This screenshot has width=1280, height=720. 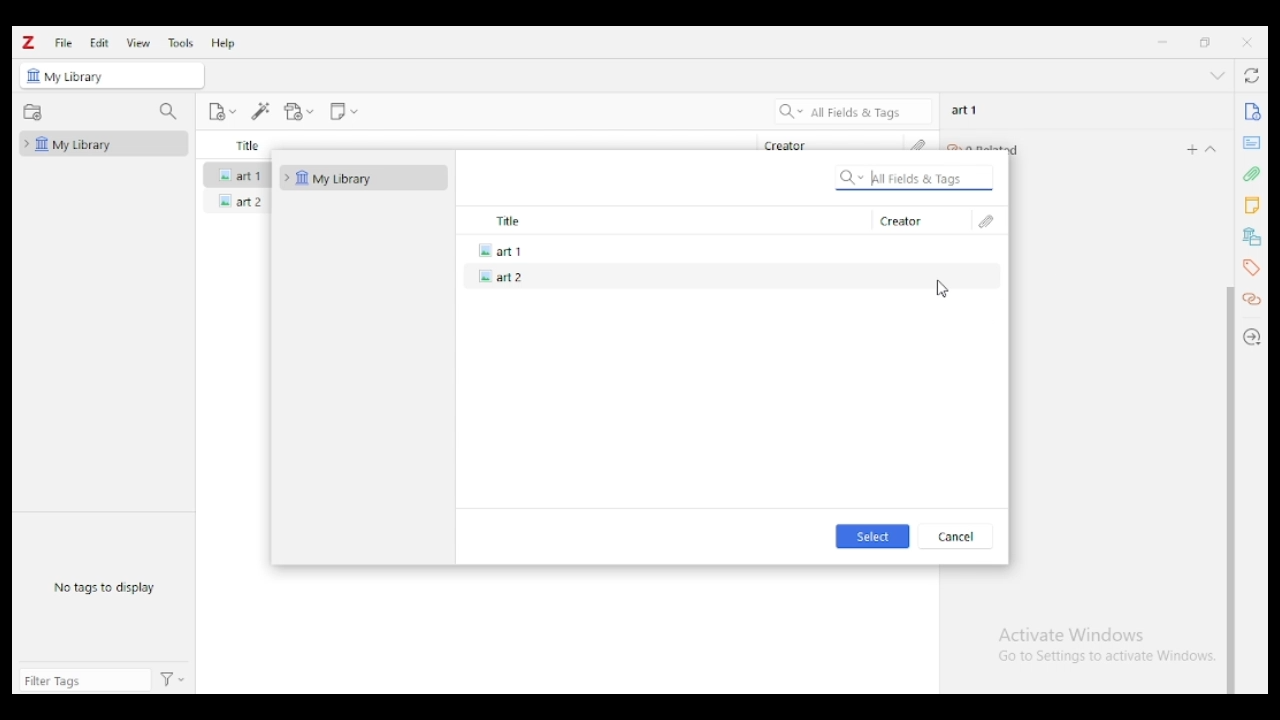 What do you see at coordinates (915, 177) in the screenshot?
I see `search all fields and tags` at bounding box center [915, 177].